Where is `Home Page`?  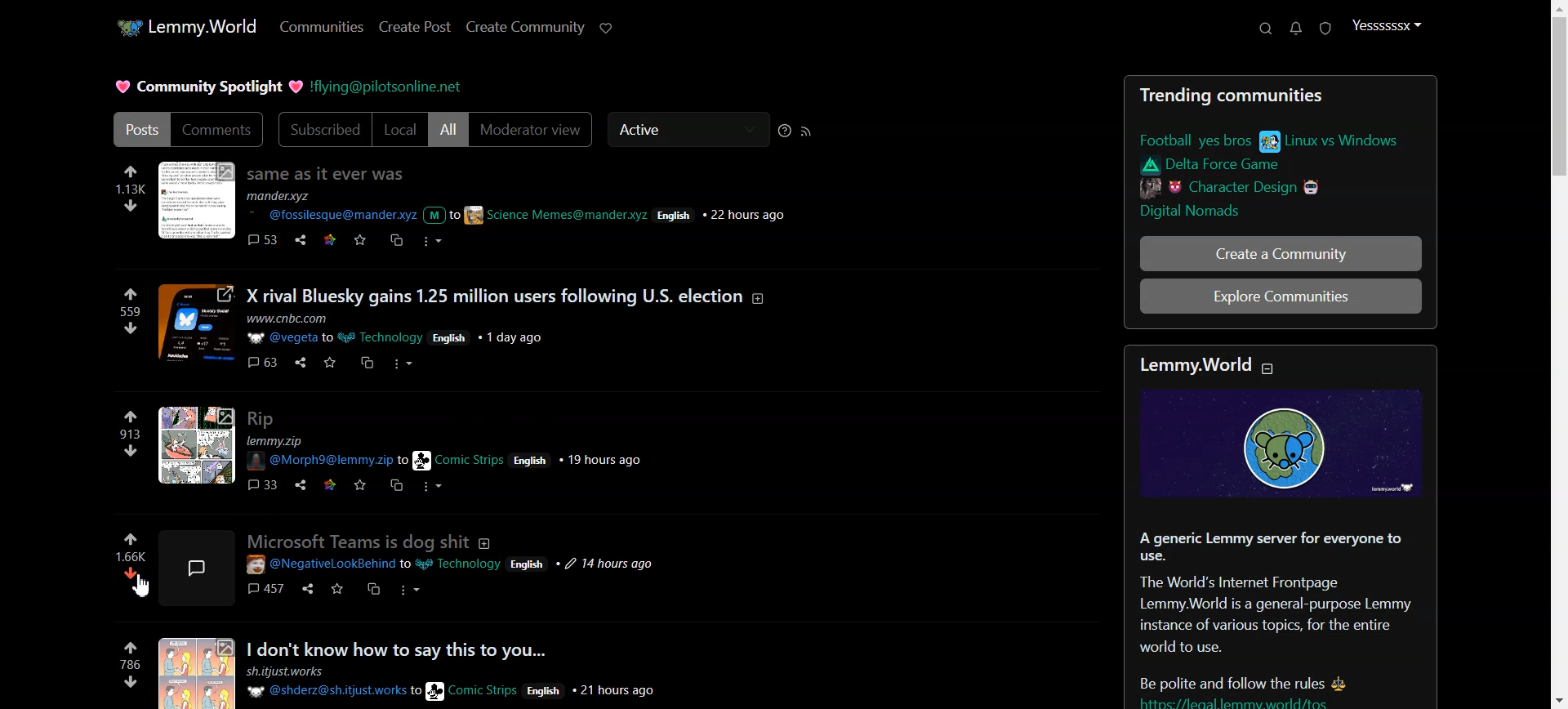 Home Page is located at coordinates (185, 26).